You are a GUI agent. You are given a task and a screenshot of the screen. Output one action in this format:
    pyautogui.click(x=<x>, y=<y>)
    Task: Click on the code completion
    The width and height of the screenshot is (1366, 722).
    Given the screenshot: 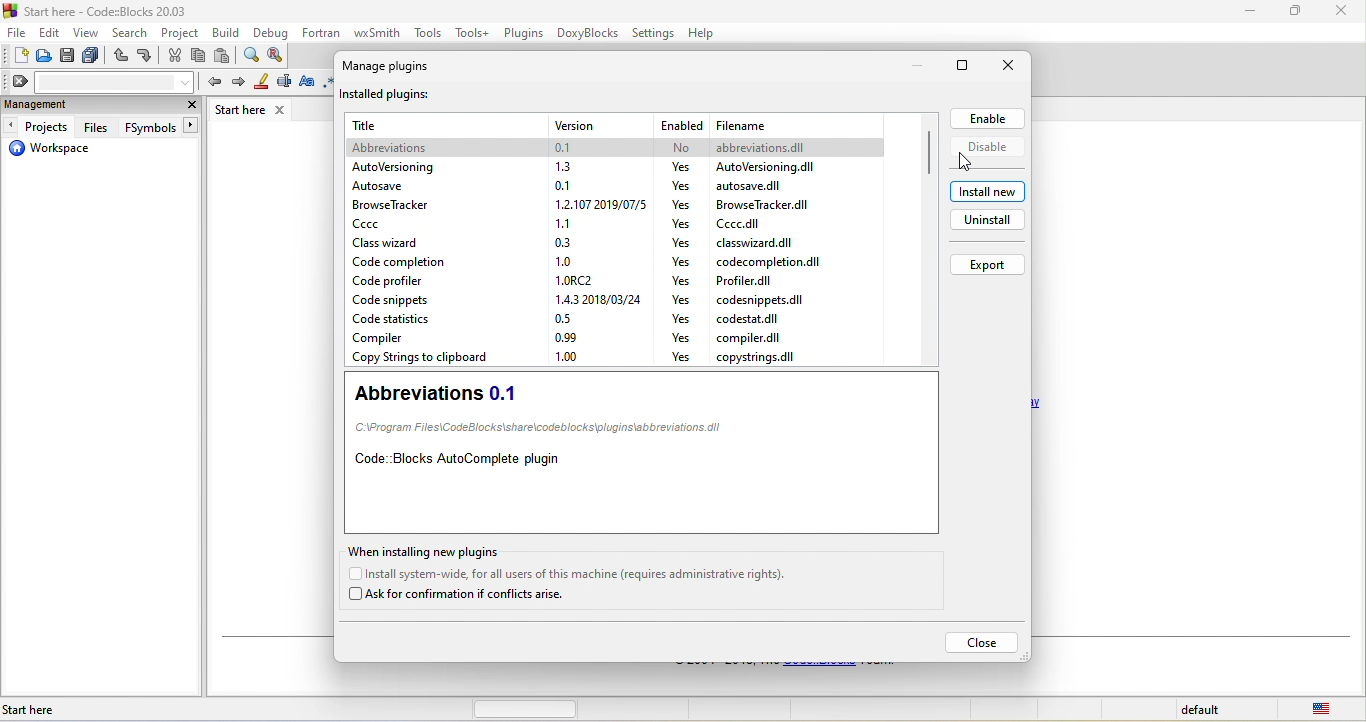 What is the action you would take?
    pyautogui.click(x=409, y=264)
    